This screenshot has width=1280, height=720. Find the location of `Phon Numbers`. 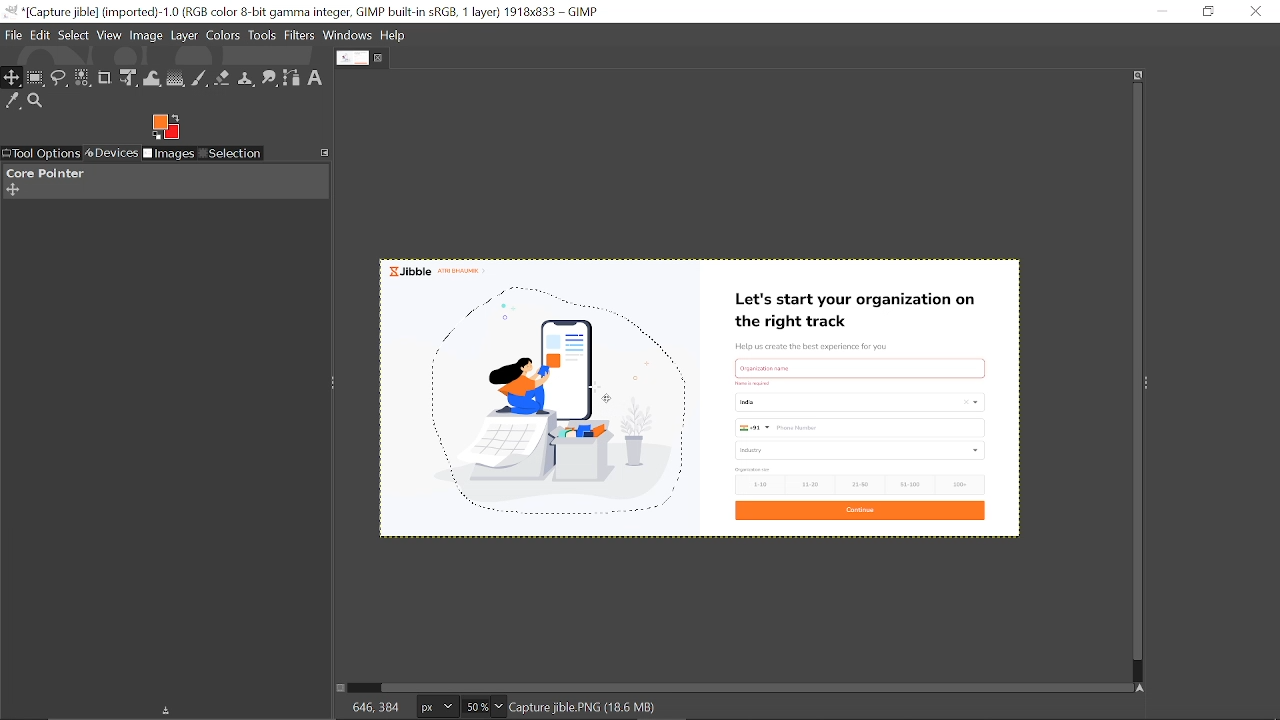

Phon Numbers is located at coordinates (861, 428).